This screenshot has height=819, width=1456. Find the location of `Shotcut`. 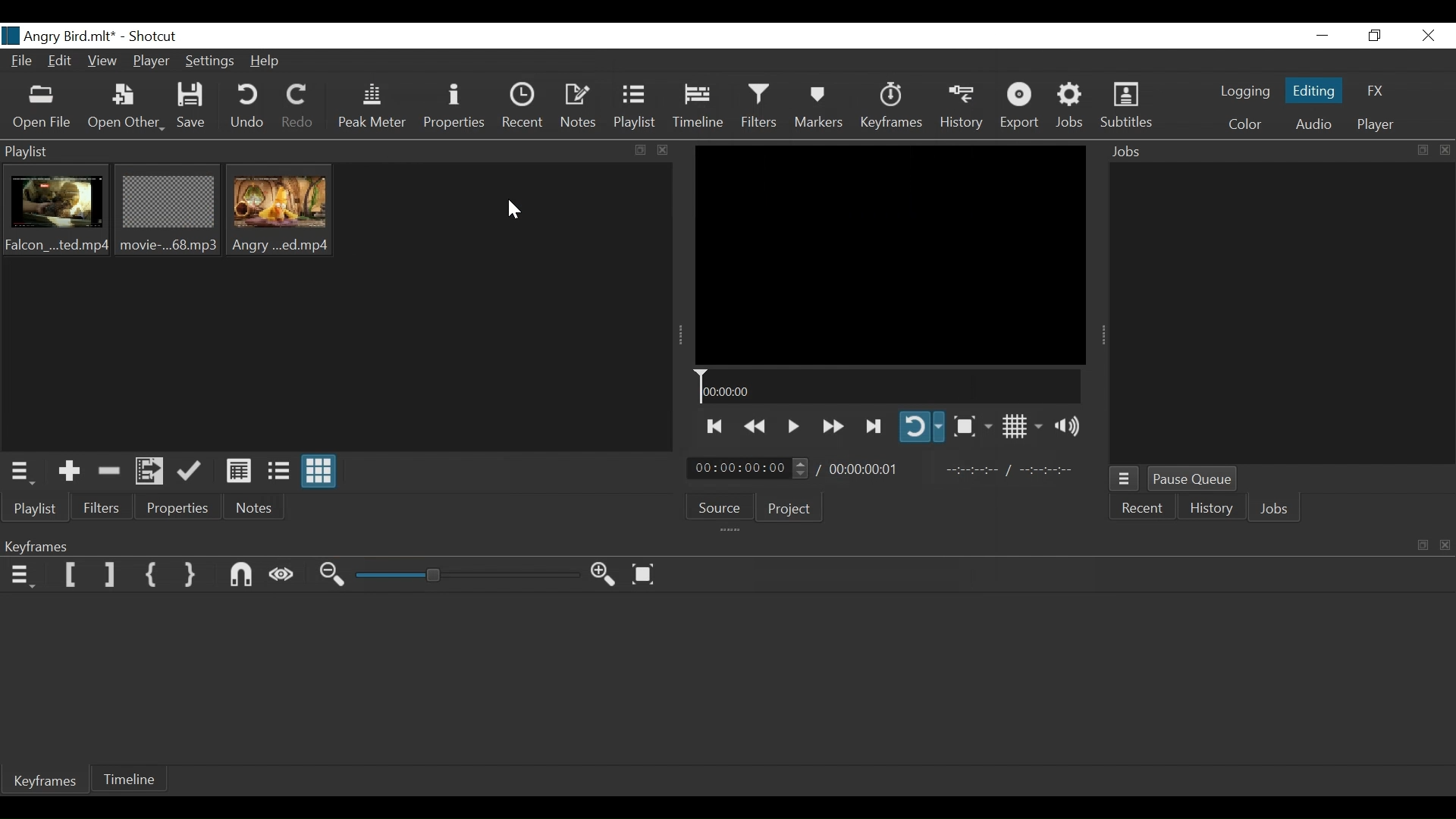

Shotcut is located at coordinates (156, 35).